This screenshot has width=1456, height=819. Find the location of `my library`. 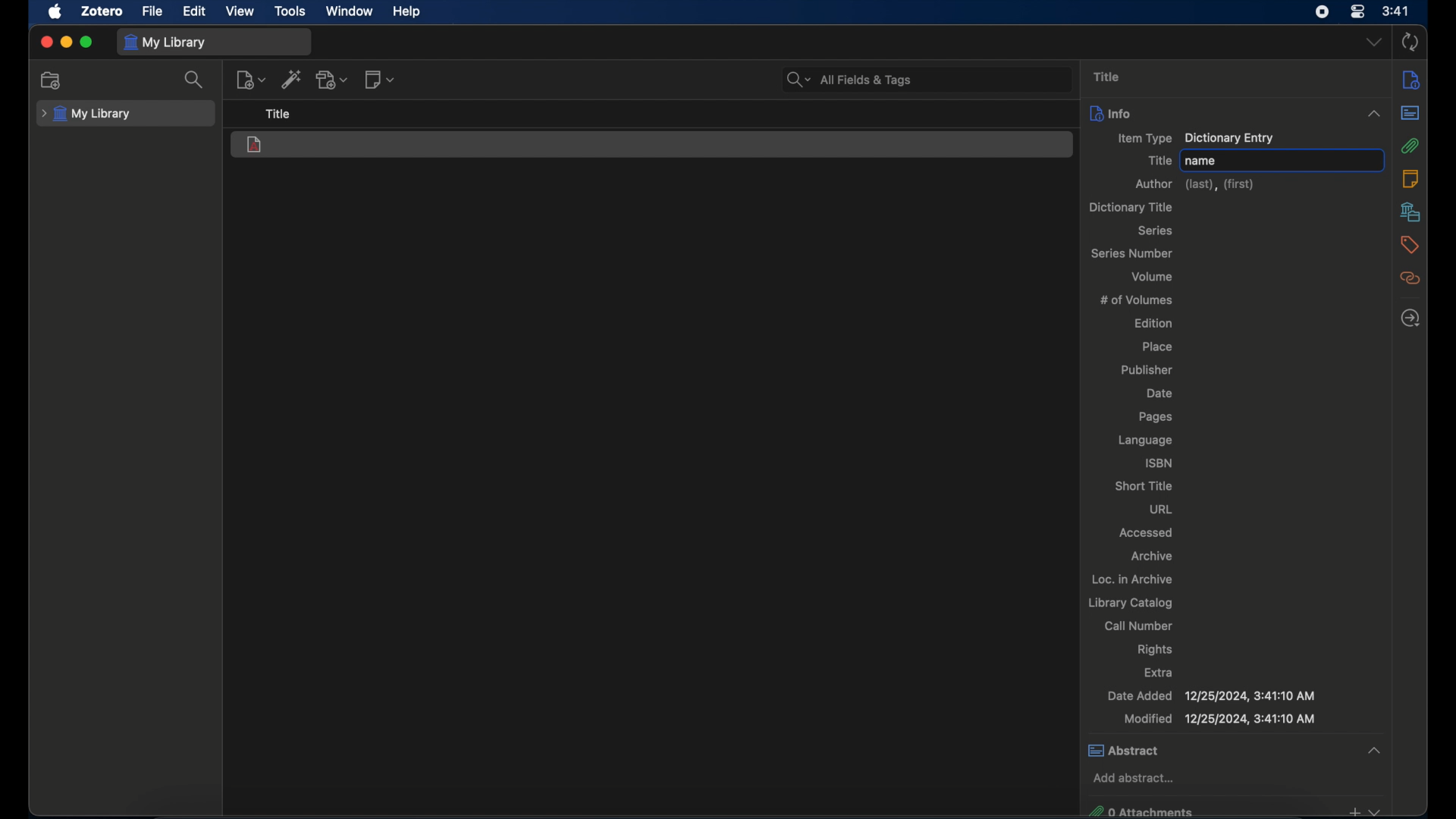

my library is located at coordinates (86, 115).